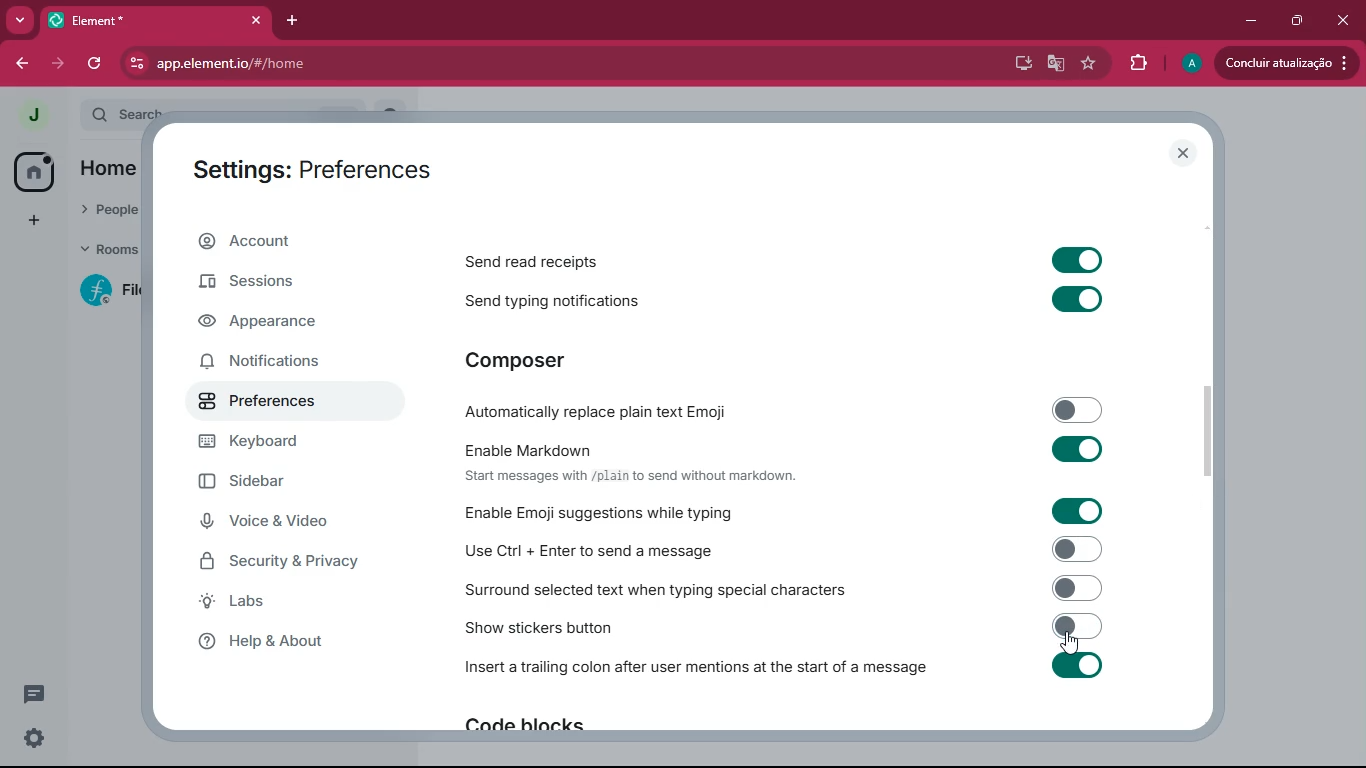 The height and width of the screenshot is (768, 1366). What do you see at coordinates (31, 222) in the screenshot?
I see `add` at bounding box center [31, 222].